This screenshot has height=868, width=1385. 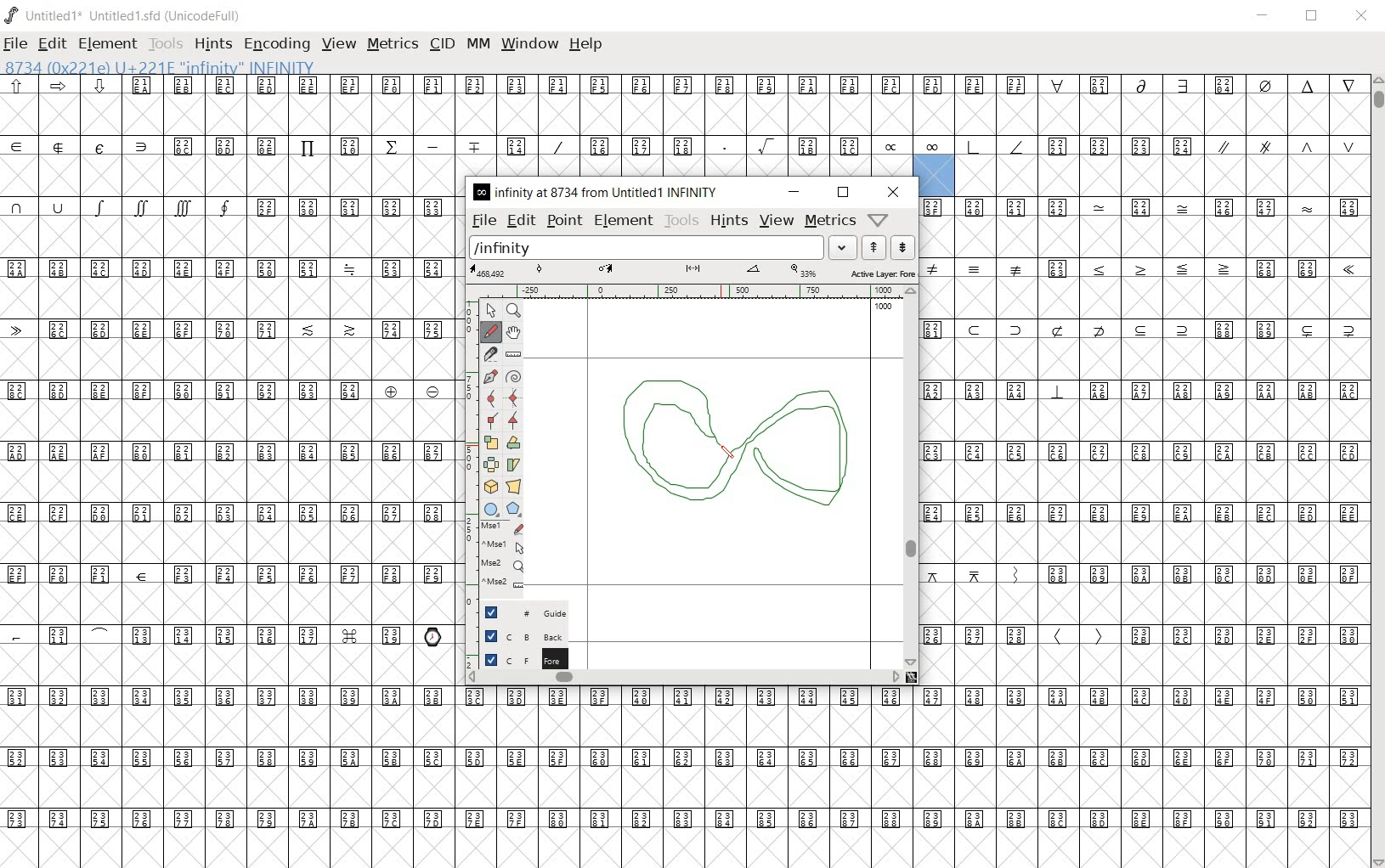 What do you see at coordinates (231, 604) in the screenshot?
I see `empty glyph slots` at bounding box center [231, 604].